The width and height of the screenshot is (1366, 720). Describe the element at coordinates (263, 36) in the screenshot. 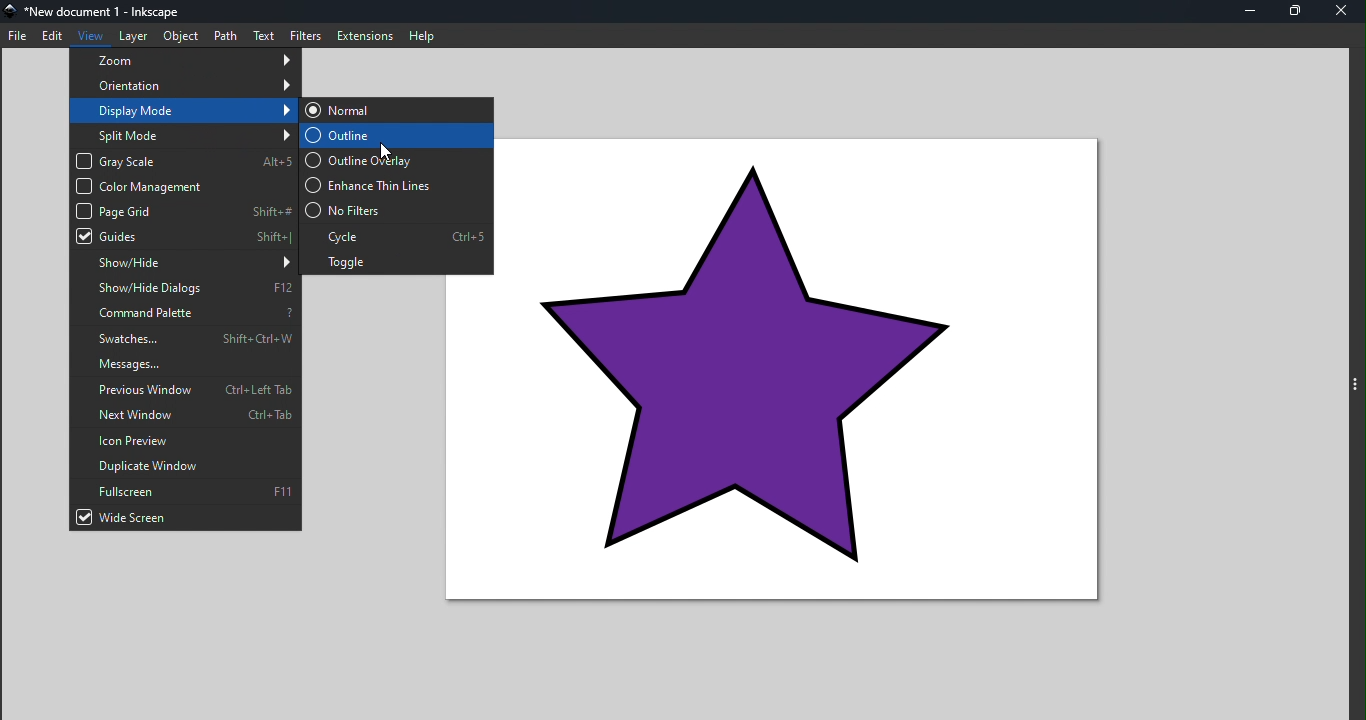

I see `Text` at that location.